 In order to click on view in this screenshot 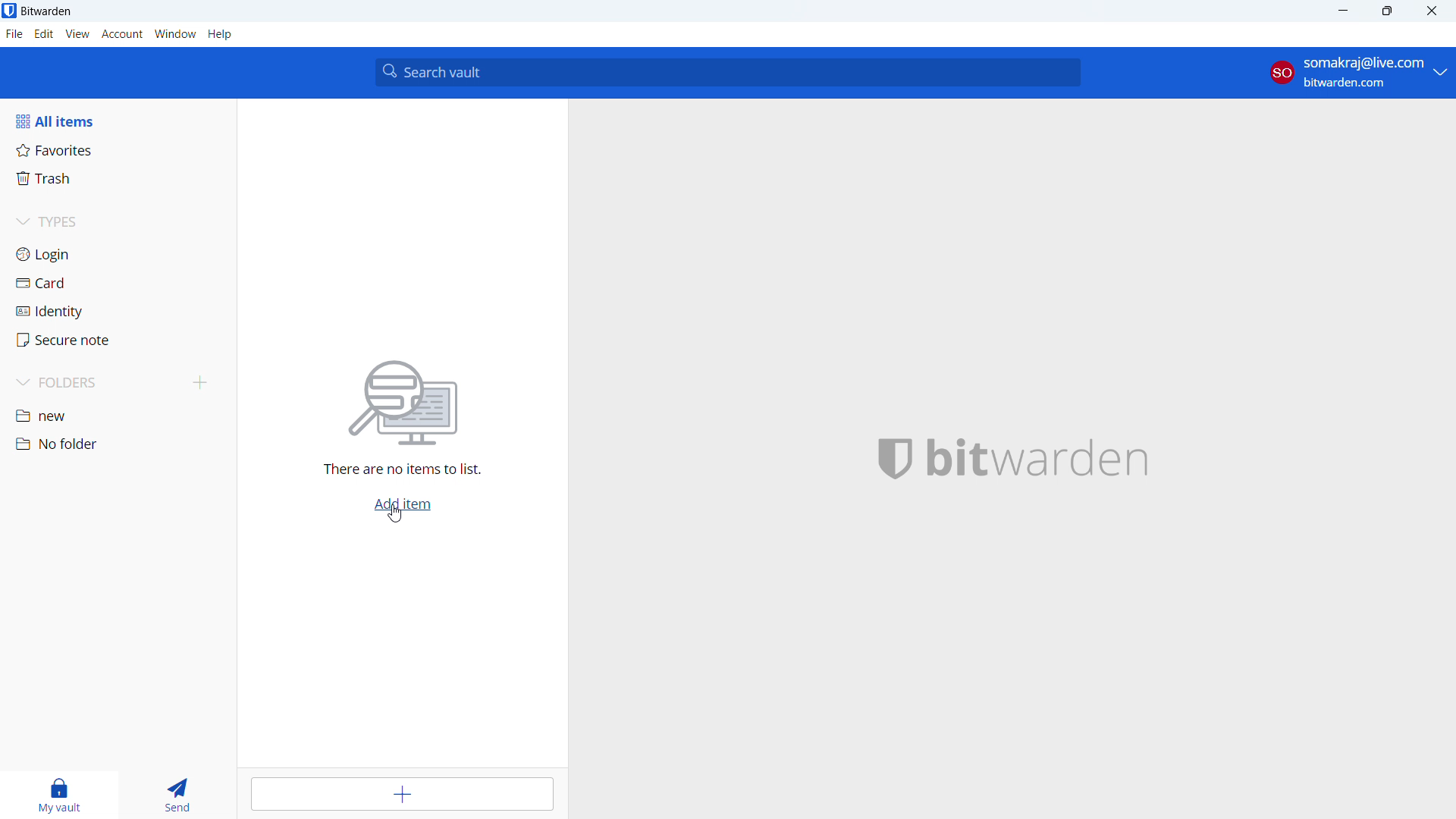, I will do `click(77, 34)`.